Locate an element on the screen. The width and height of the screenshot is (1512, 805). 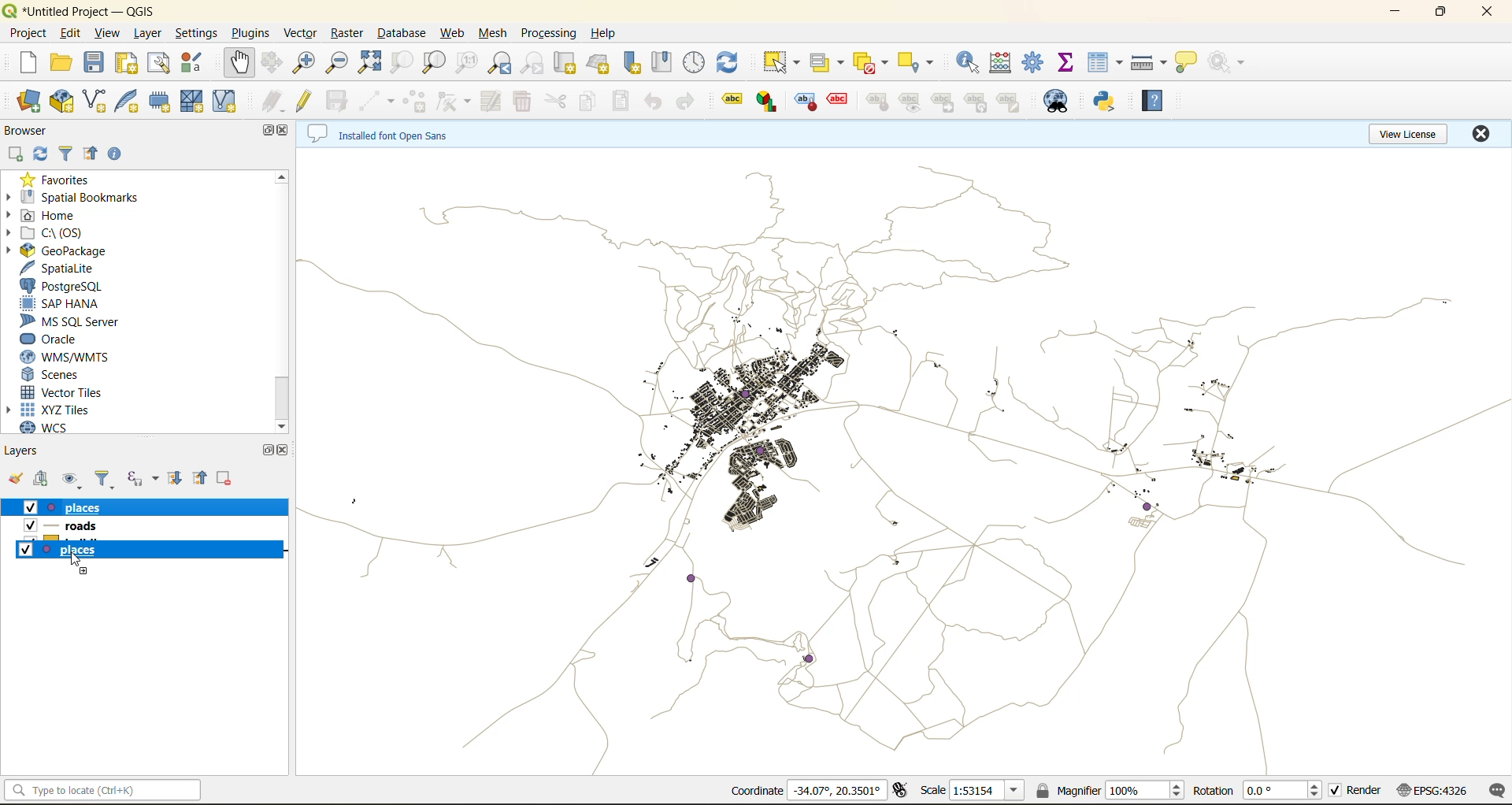
paste is located at coordinates (624, 102).